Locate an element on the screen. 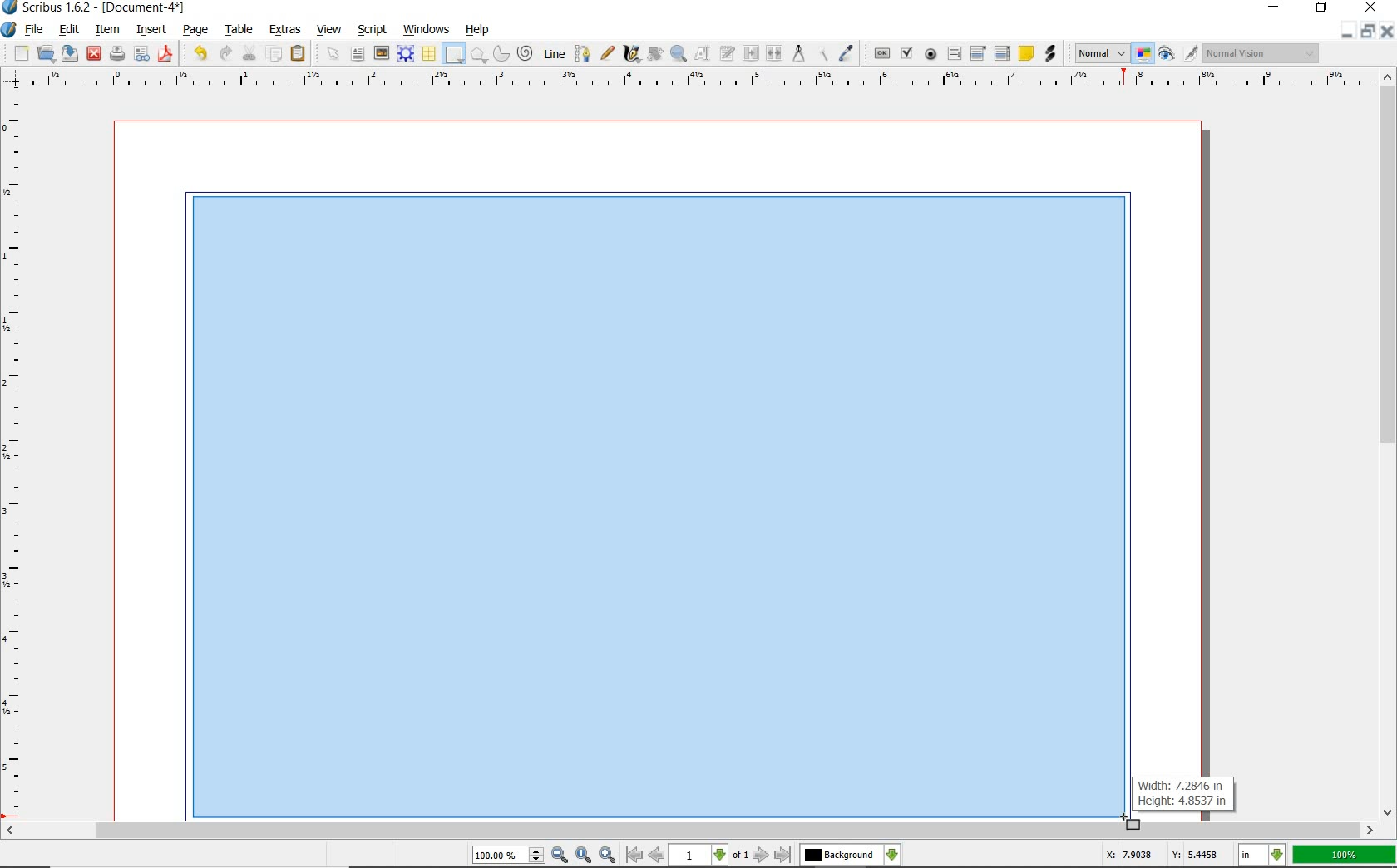 The image size is (1397, 868). script is located at coordinates (374, 30).